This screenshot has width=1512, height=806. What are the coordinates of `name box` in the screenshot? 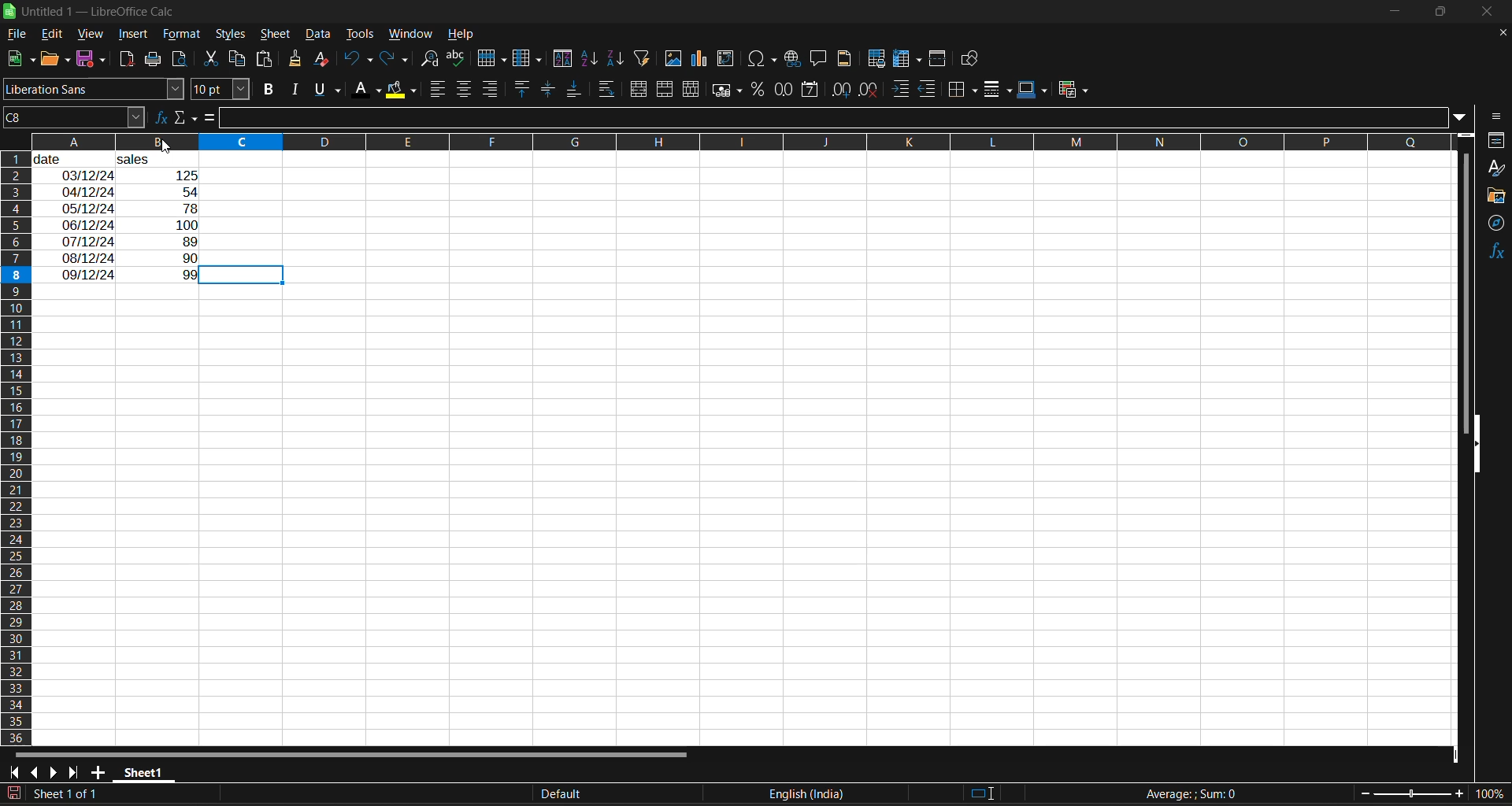 It's located at (71, 116).